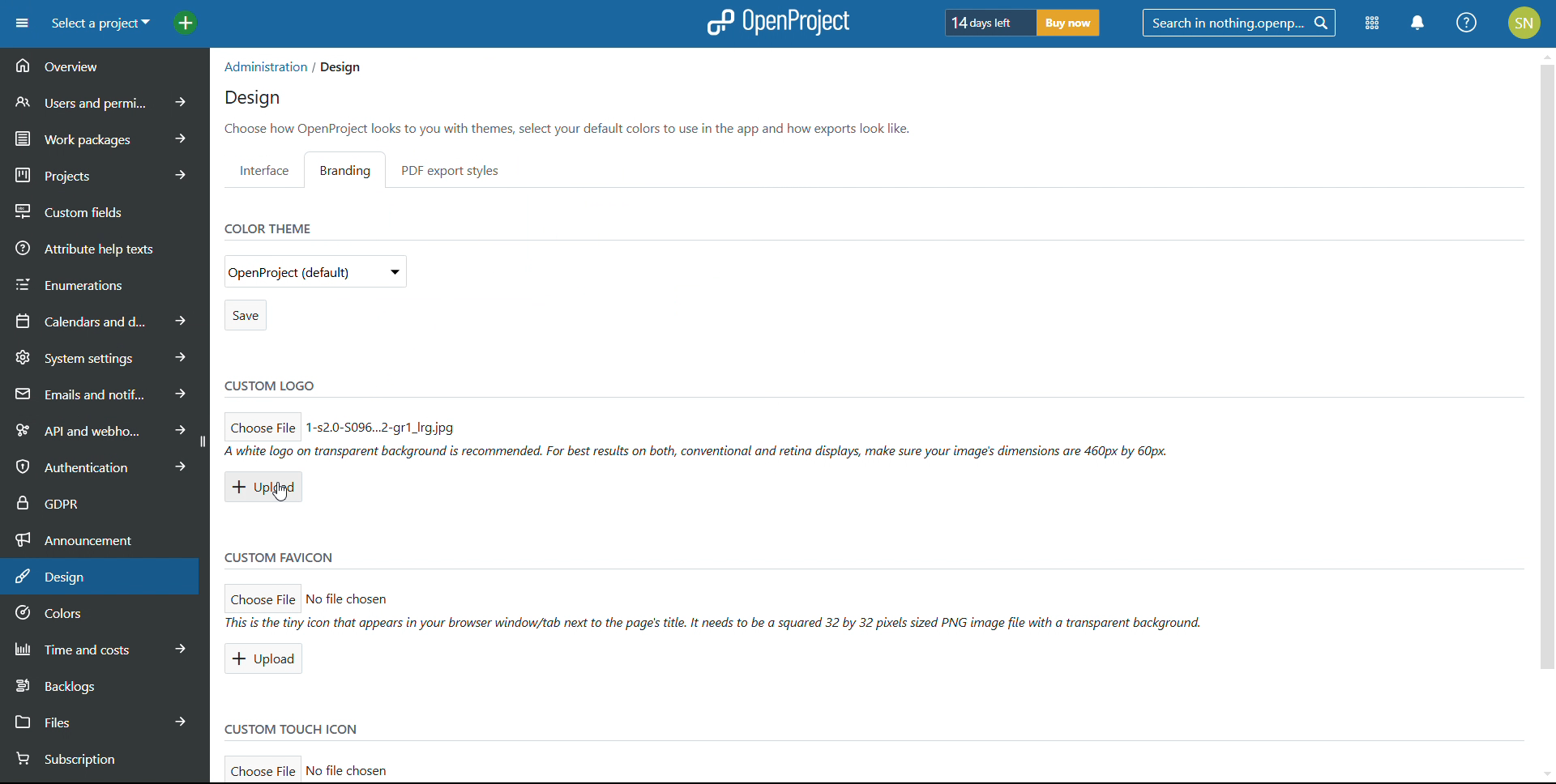  Describe the element at coordinates (93, 760) in the screenshot. I see `subsription` at that location.